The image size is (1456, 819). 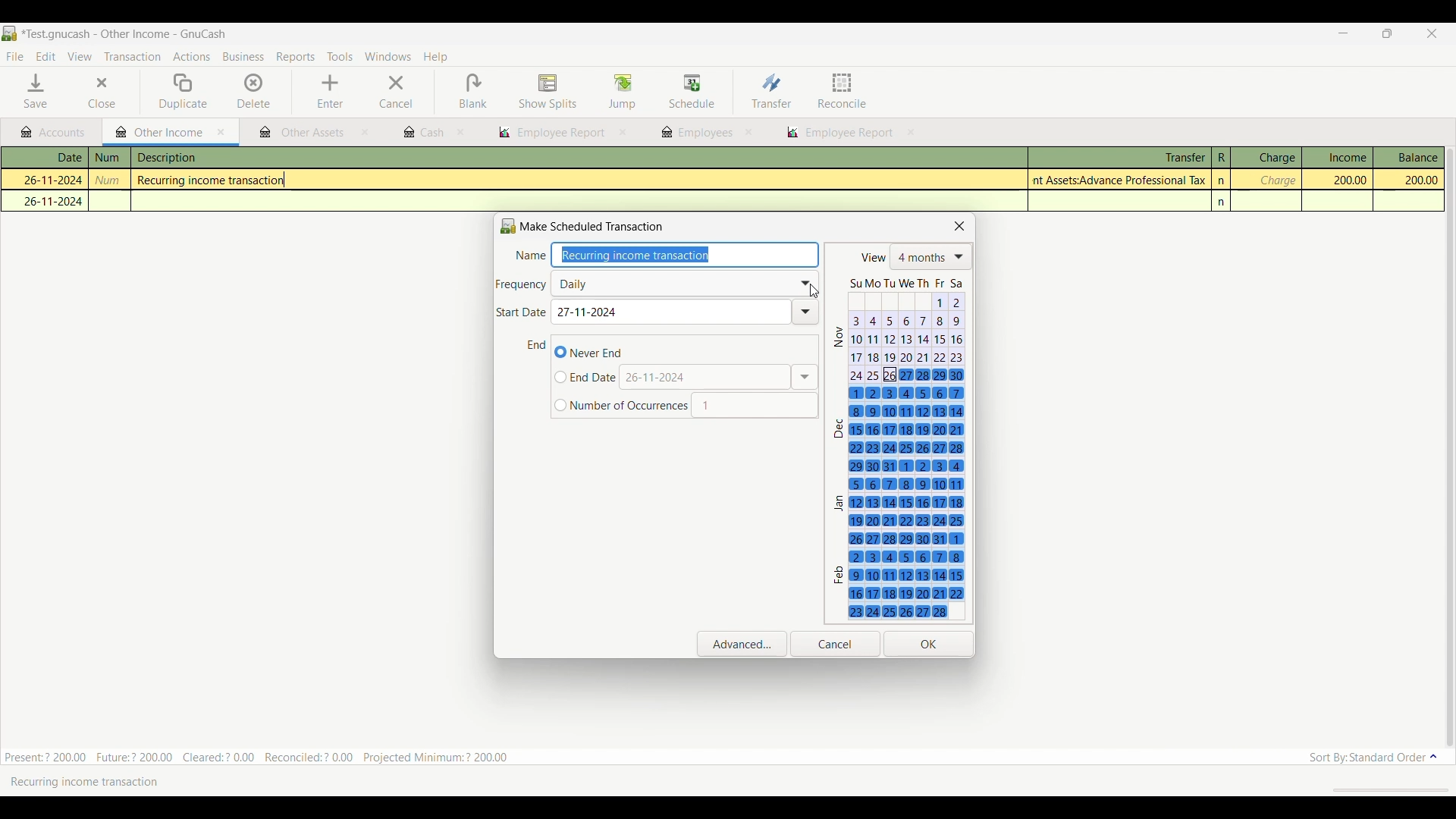 What do you see at coordinates (385, 783) in the screenshot?
I see `Create a Scheduled Transaction with the current transaction as a template or edit the Scheduled Transaction that current transaction was created by.` at bounding box center [385, 783].